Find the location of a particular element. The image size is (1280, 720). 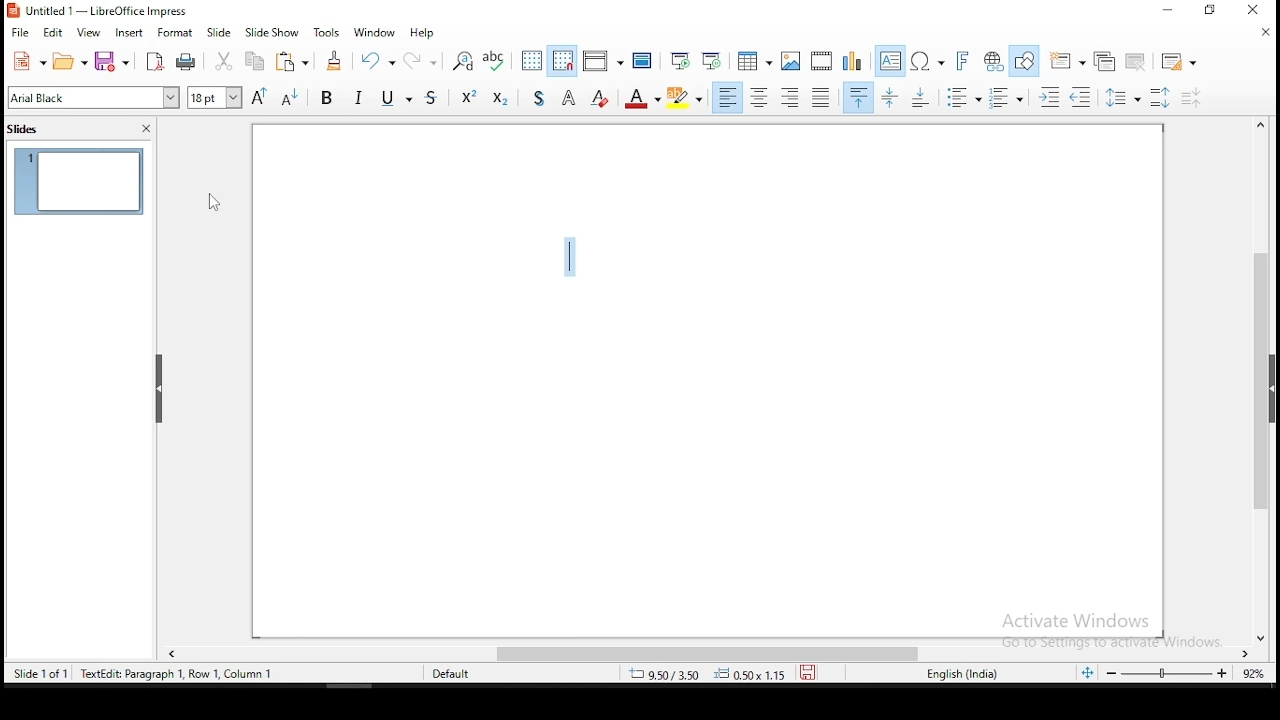

start from first slide is located at coordinates (679, 60).